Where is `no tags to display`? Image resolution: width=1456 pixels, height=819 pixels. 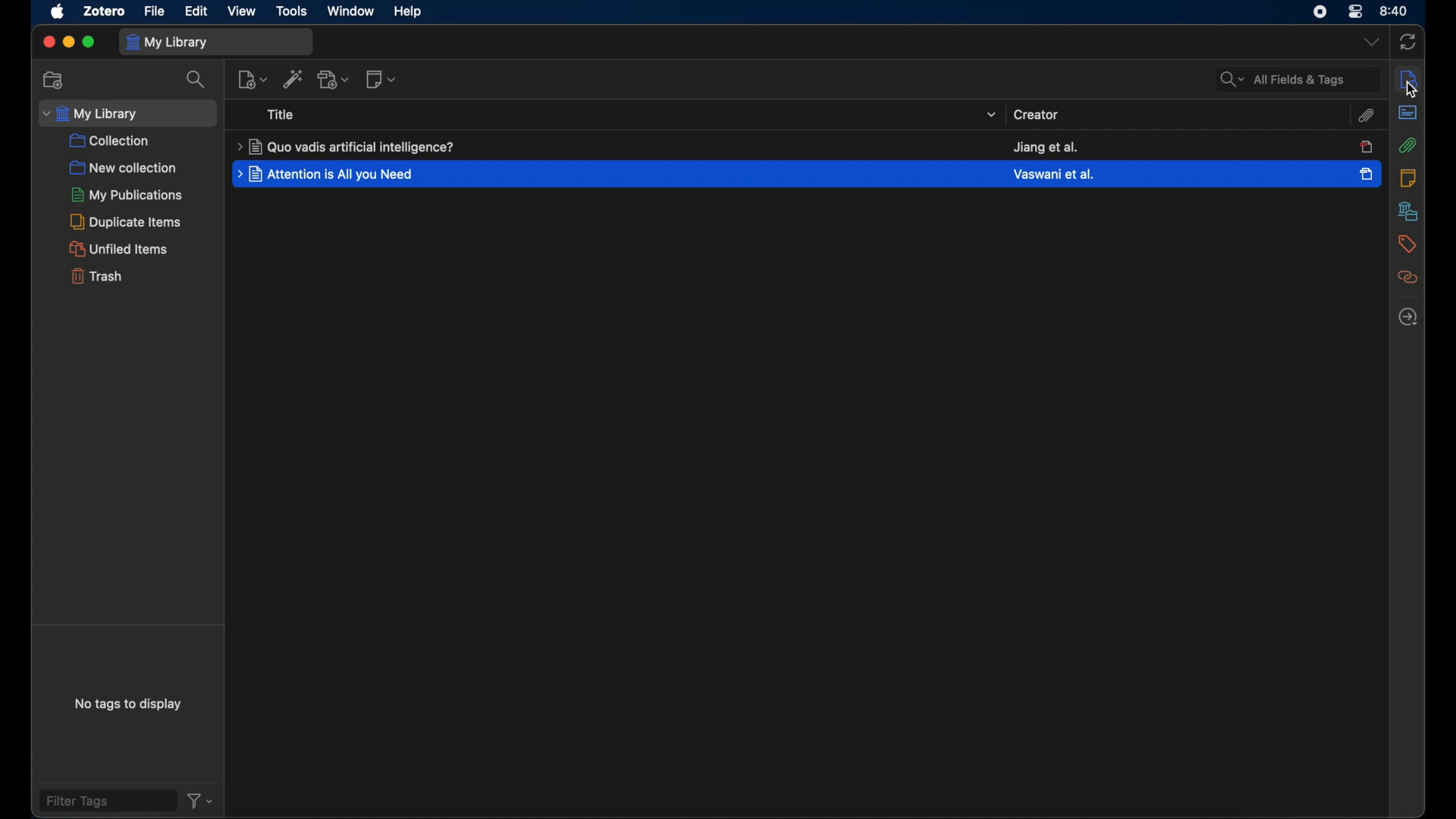
no tags to display is located at coordinates (130, 704).